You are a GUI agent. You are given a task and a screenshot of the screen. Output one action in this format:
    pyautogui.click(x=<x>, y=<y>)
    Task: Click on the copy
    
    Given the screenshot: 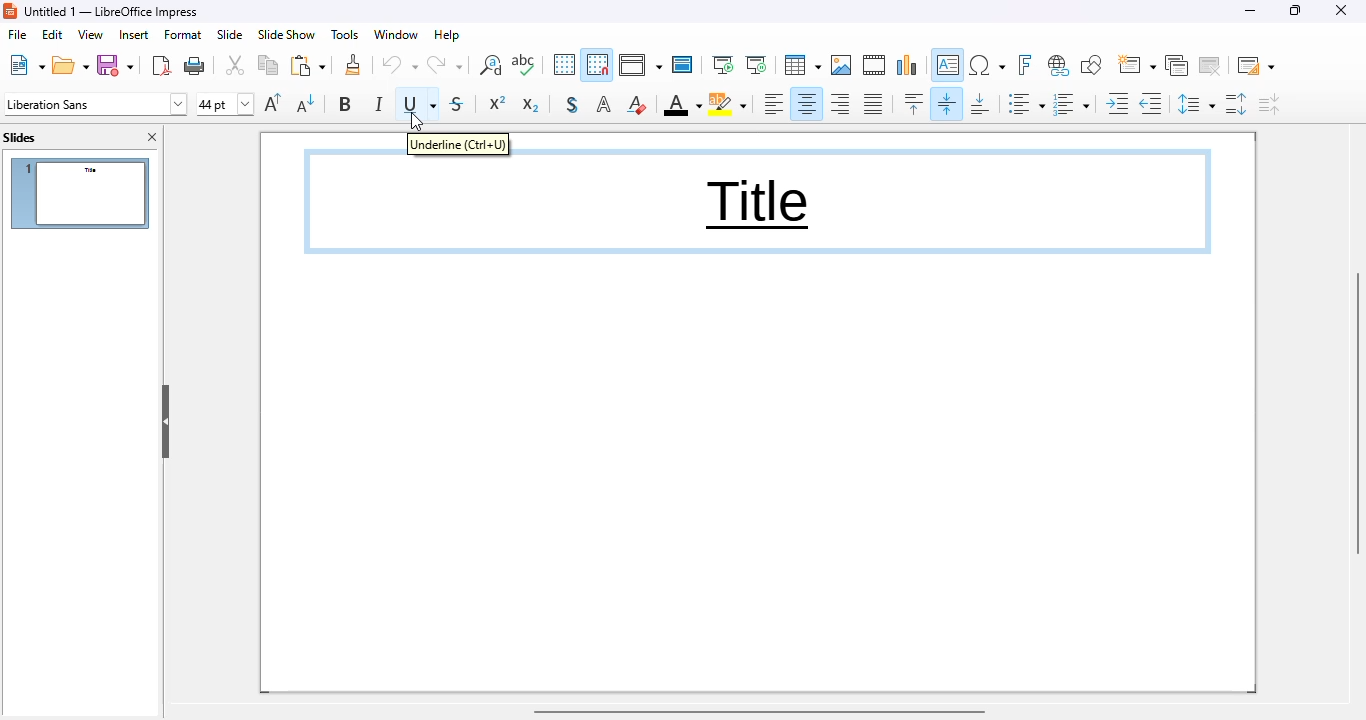 What is the action you would take?
    pyautogui.click(x=268, y=65)
    